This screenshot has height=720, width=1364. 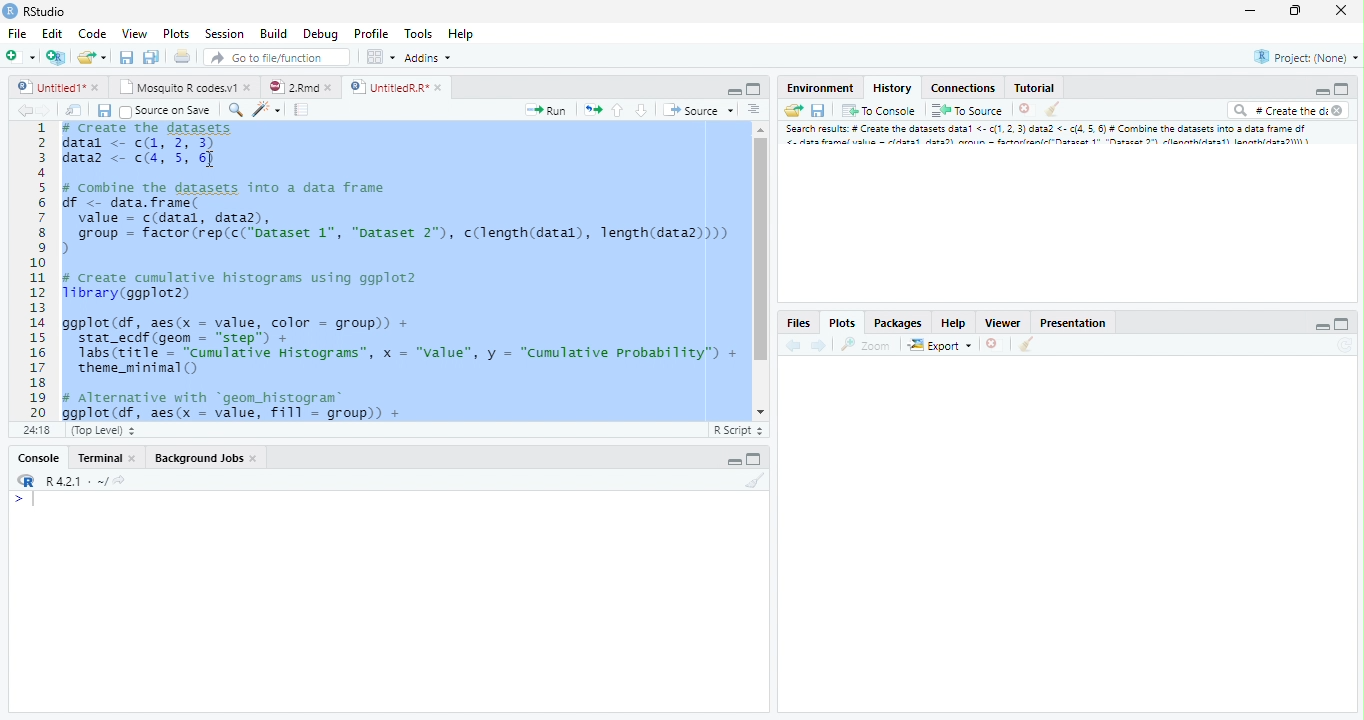 What do you see at coordinates (940, 345) in the screenshot?
I see `Export` at bounding box center [940, 345].